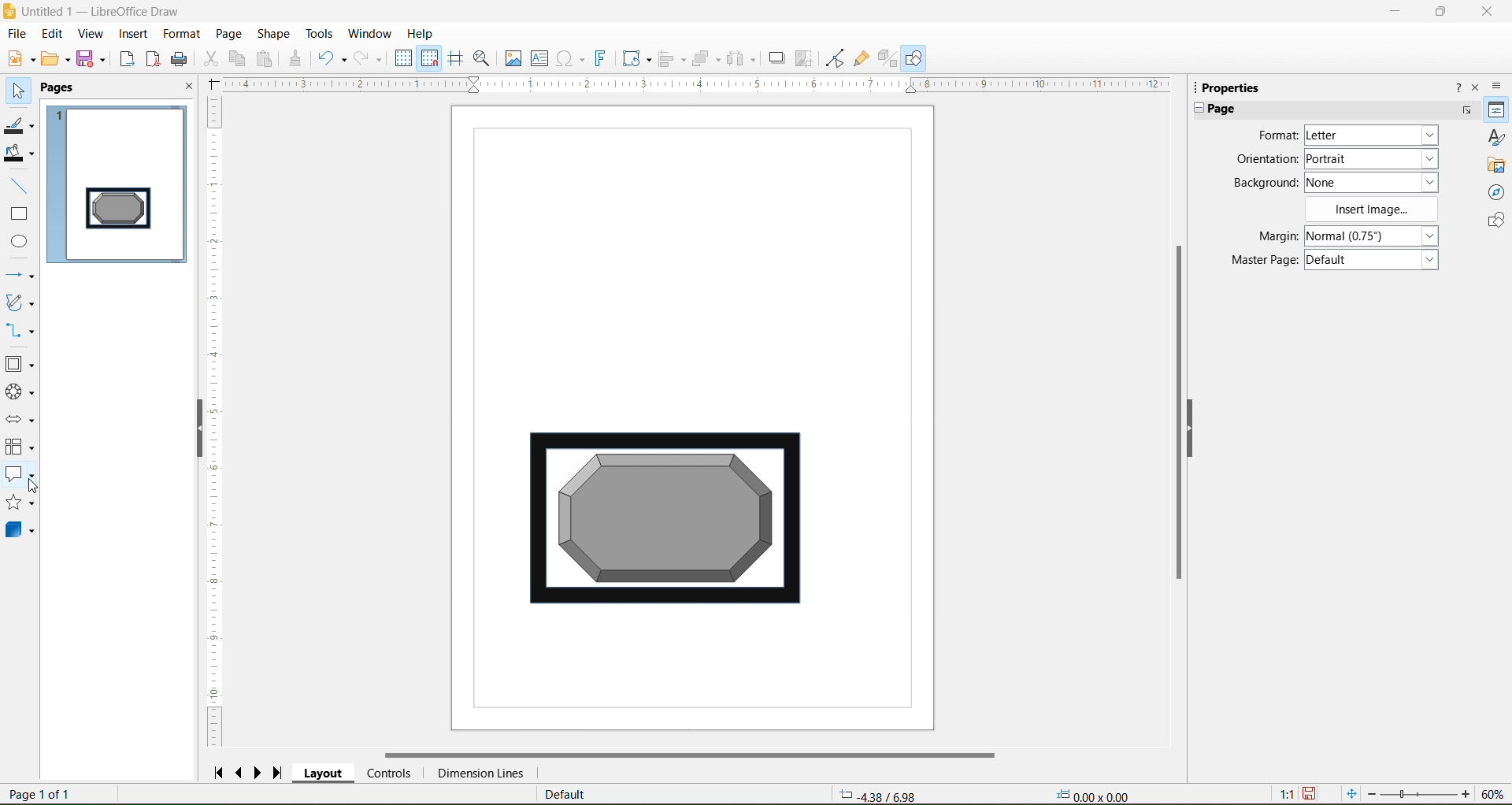 Image resolution: width=1512 pixels, height=805 pixels. I want to click on Cut, so click(210, 60).